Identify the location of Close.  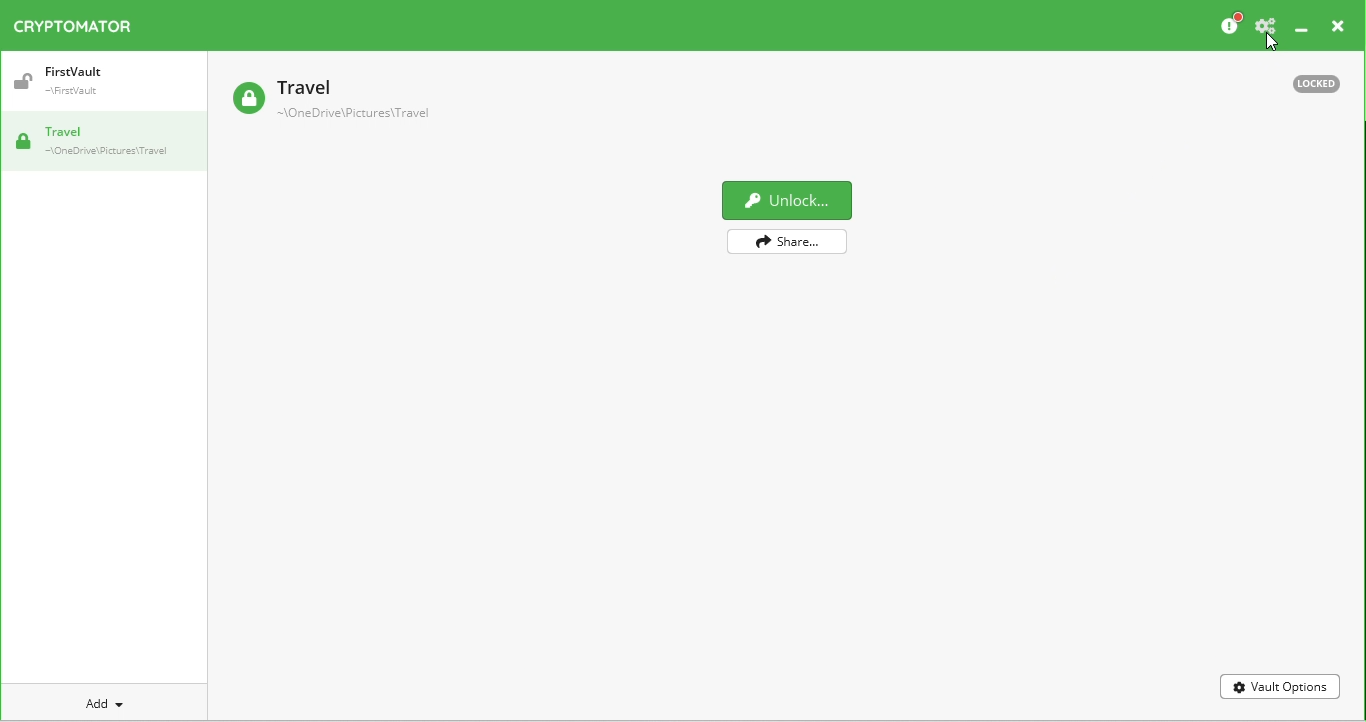
(1333, 26).